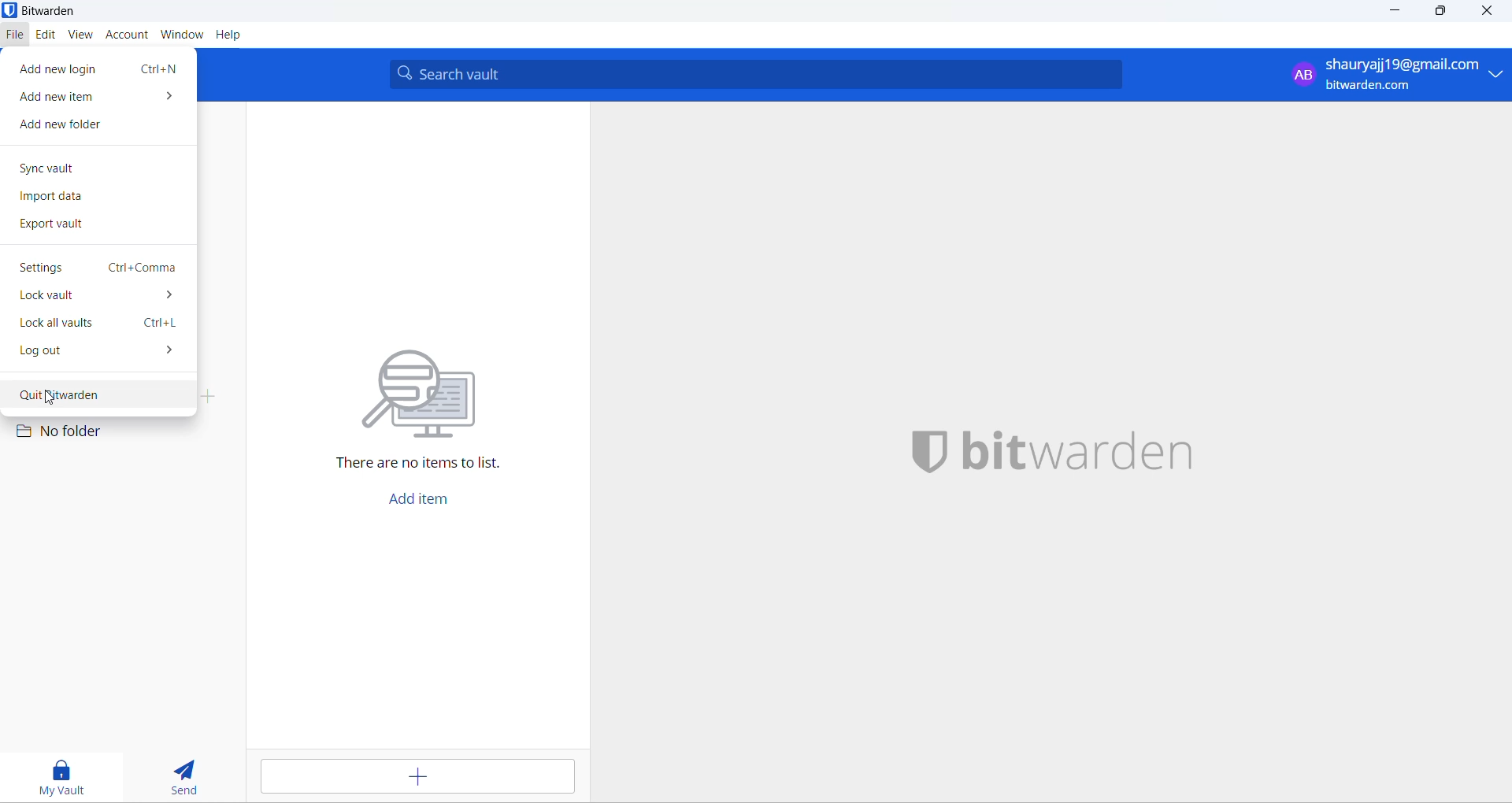  I want to click on setting, so click(98, 266).